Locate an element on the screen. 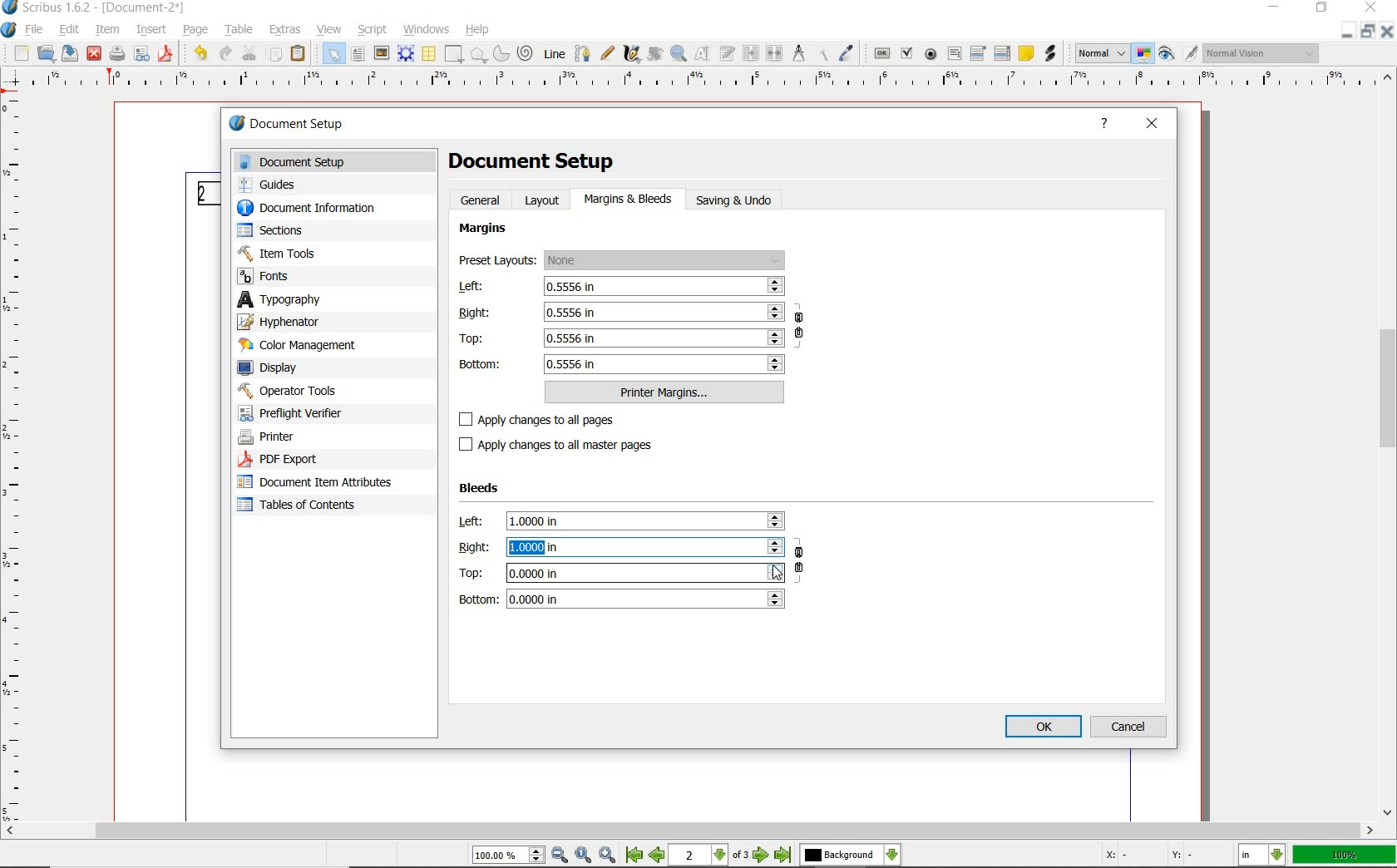 Image resolution: width=1397 pixels, height=868 pixels. Zoom Out is located at coordinates (560, 856).